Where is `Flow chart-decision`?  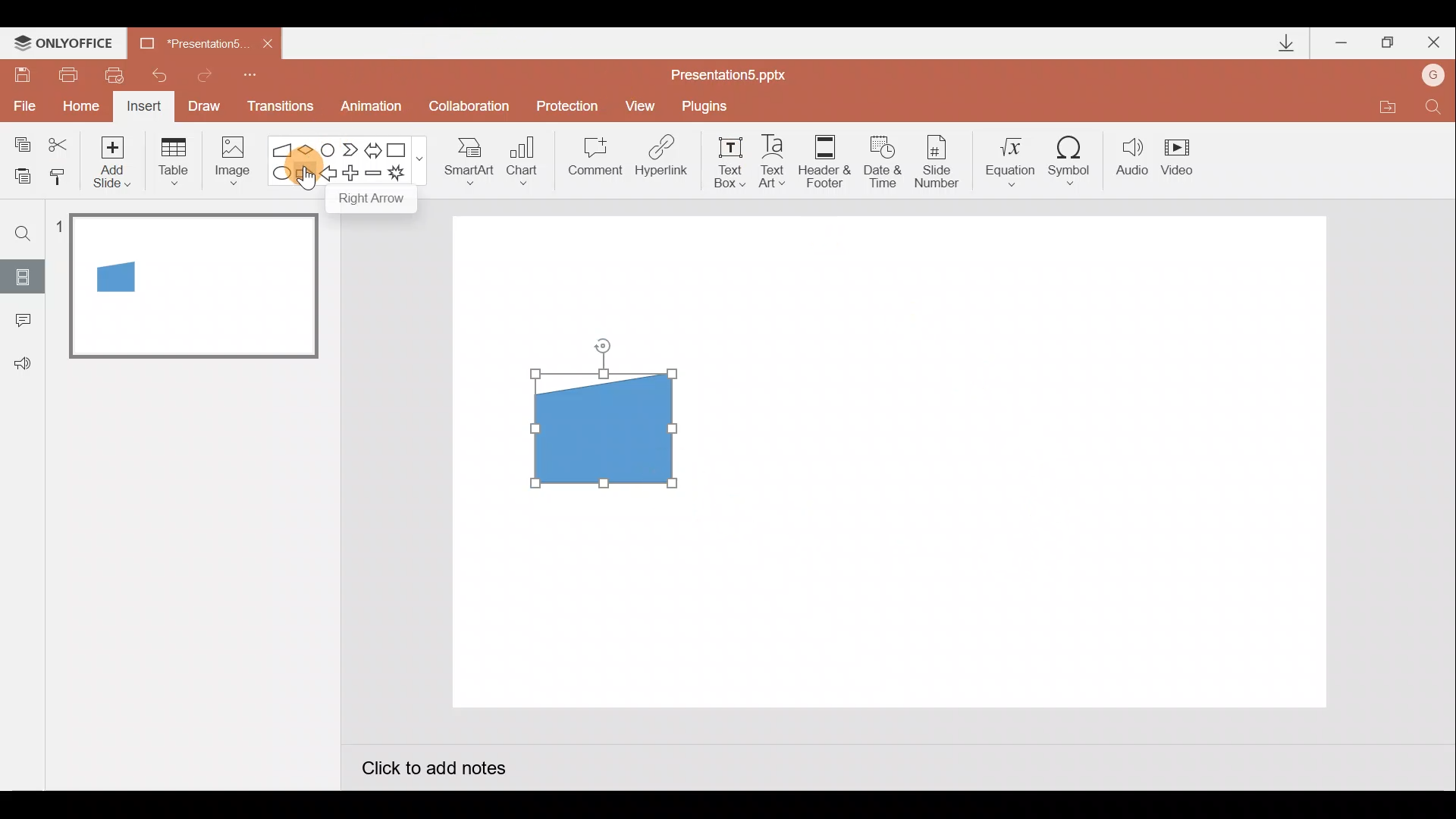 Flow chart-decision is located at coordinates (308, 149).